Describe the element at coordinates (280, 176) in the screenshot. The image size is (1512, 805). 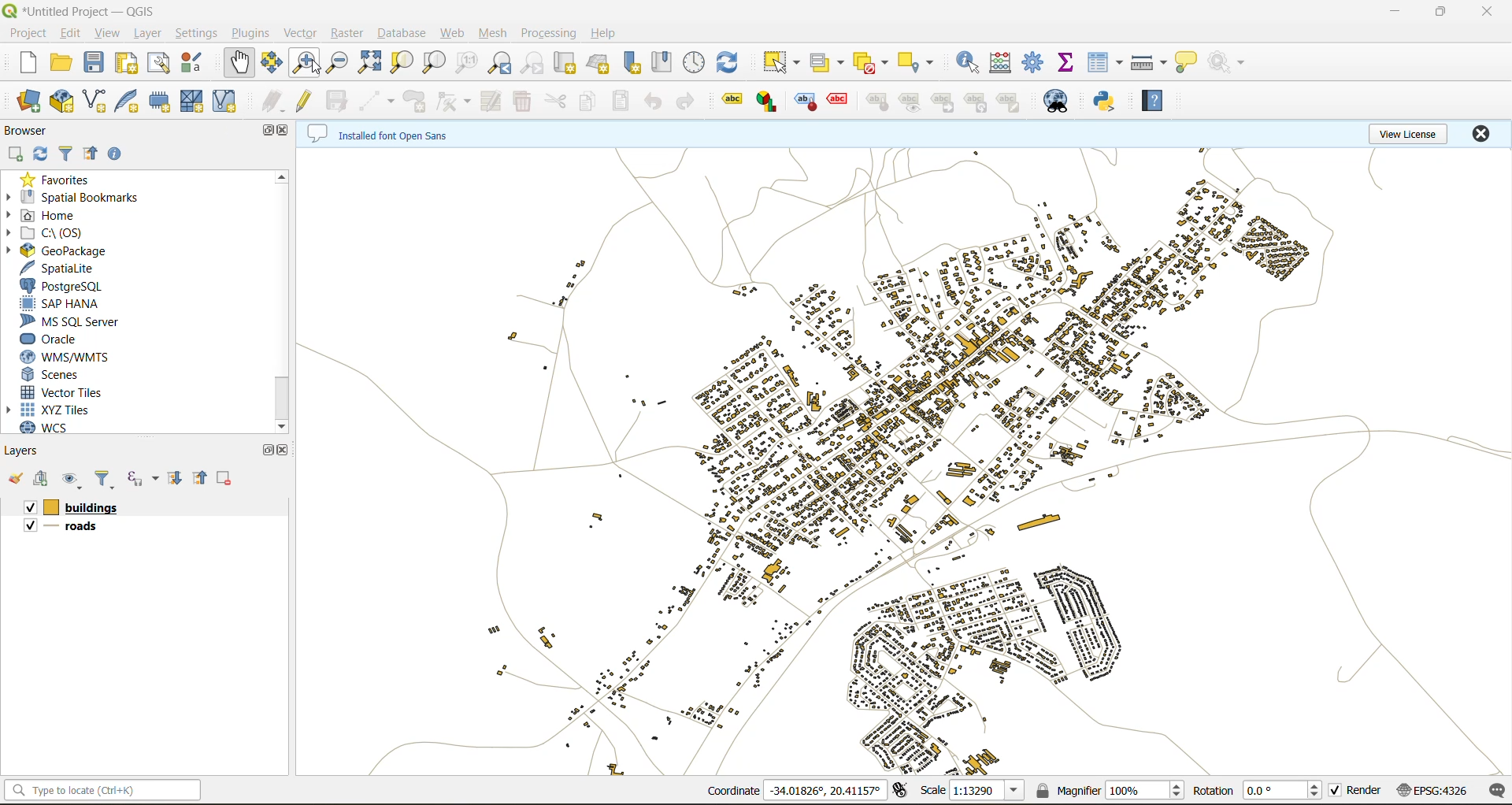
I see `scroll up` at that location.